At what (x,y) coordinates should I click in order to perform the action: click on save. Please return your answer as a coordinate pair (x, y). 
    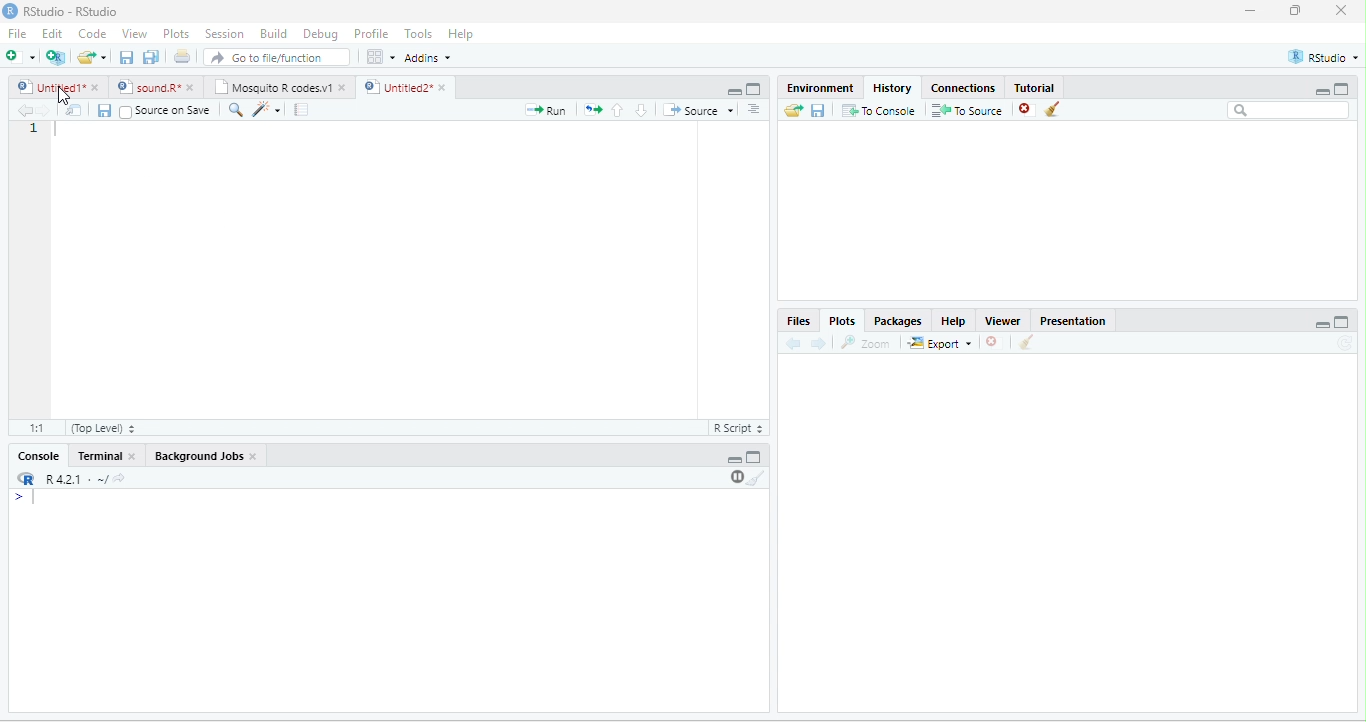
    Looking at the image, I should click on (126, 57).